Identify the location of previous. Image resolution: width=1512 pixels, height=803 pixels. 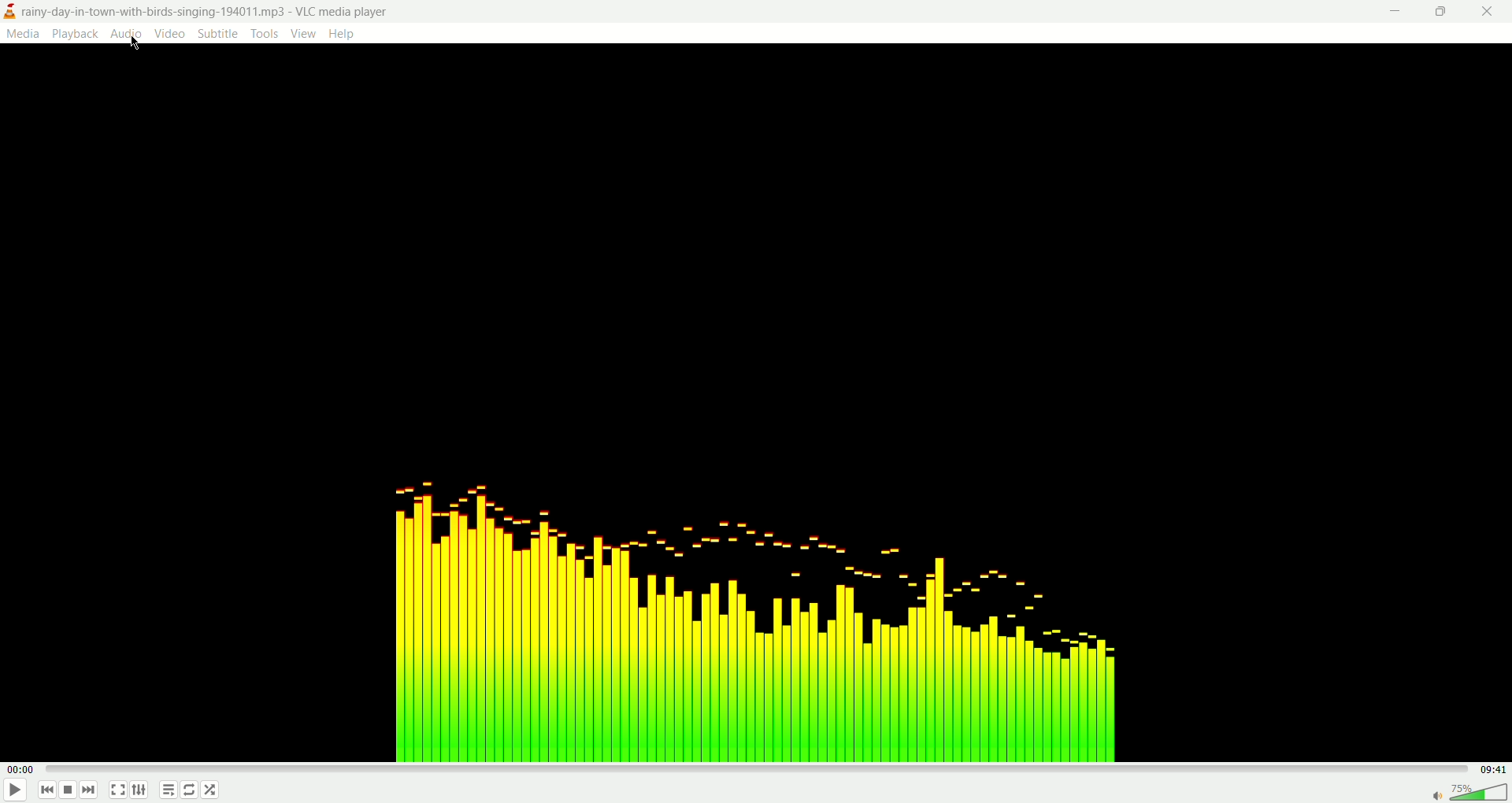
(46, 790).